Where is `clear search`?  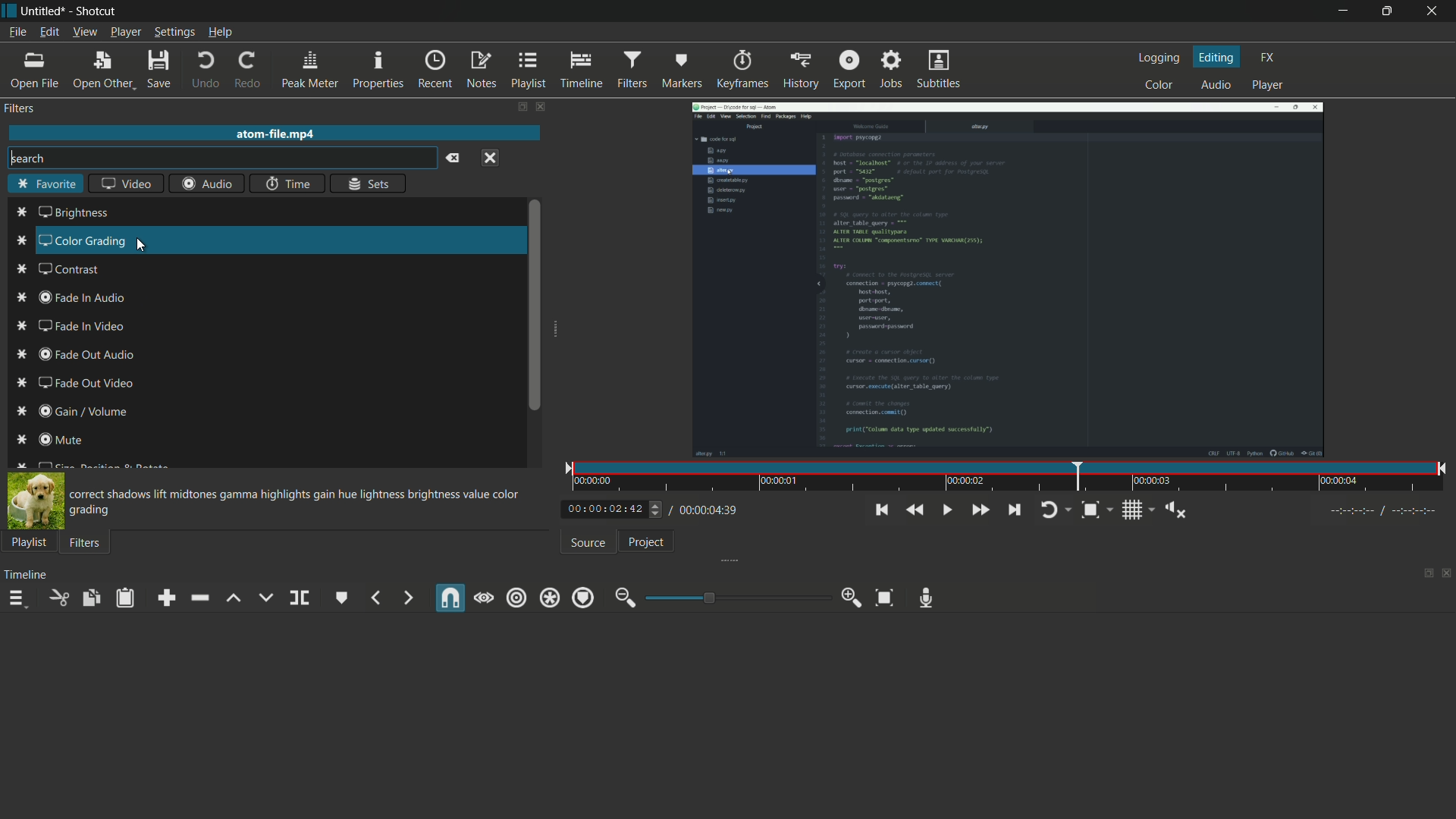 clear search is located at coordinates (454, 159).